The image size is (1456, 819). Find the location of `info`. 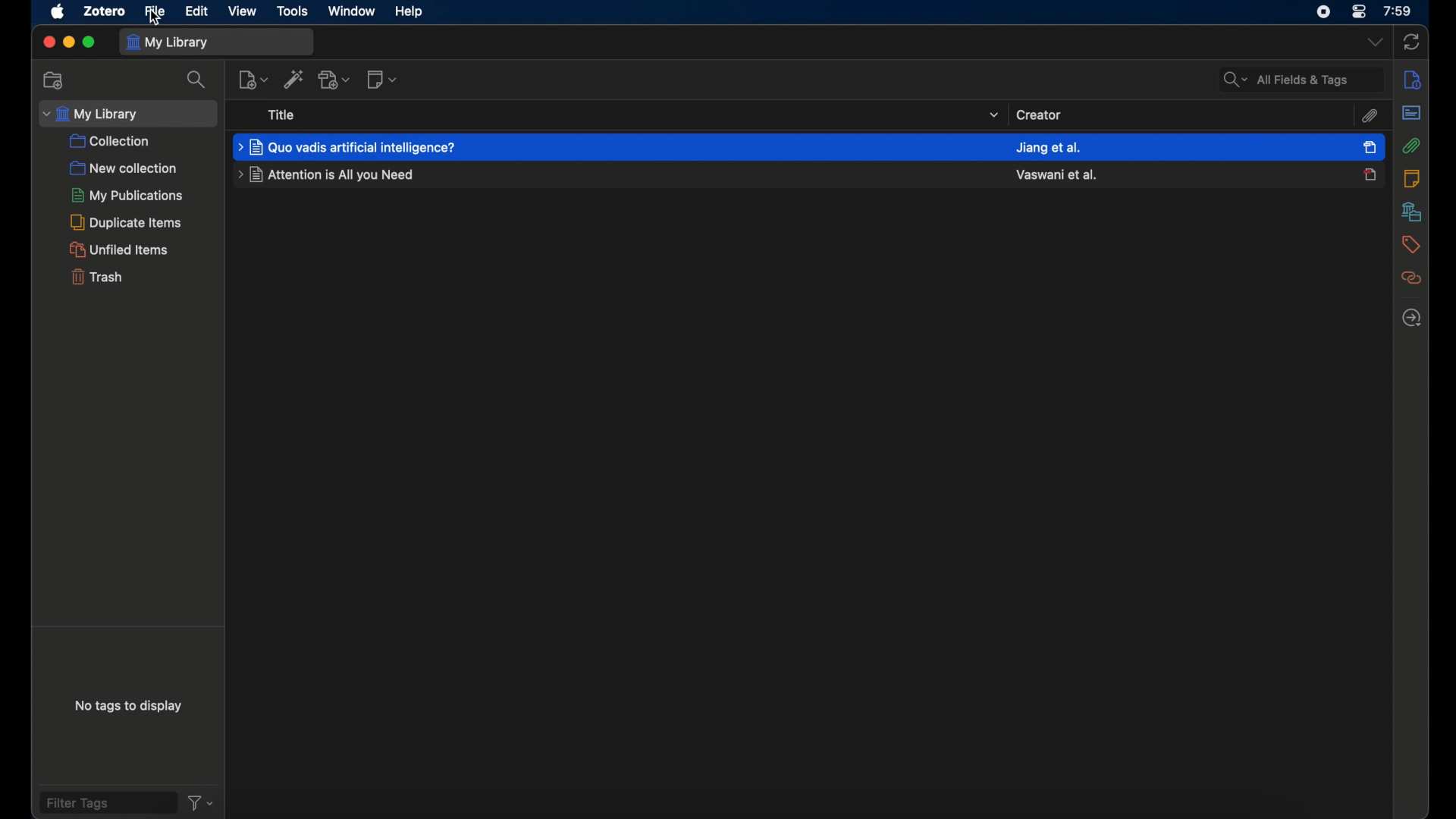

info is located at coordinates (1410, 80).